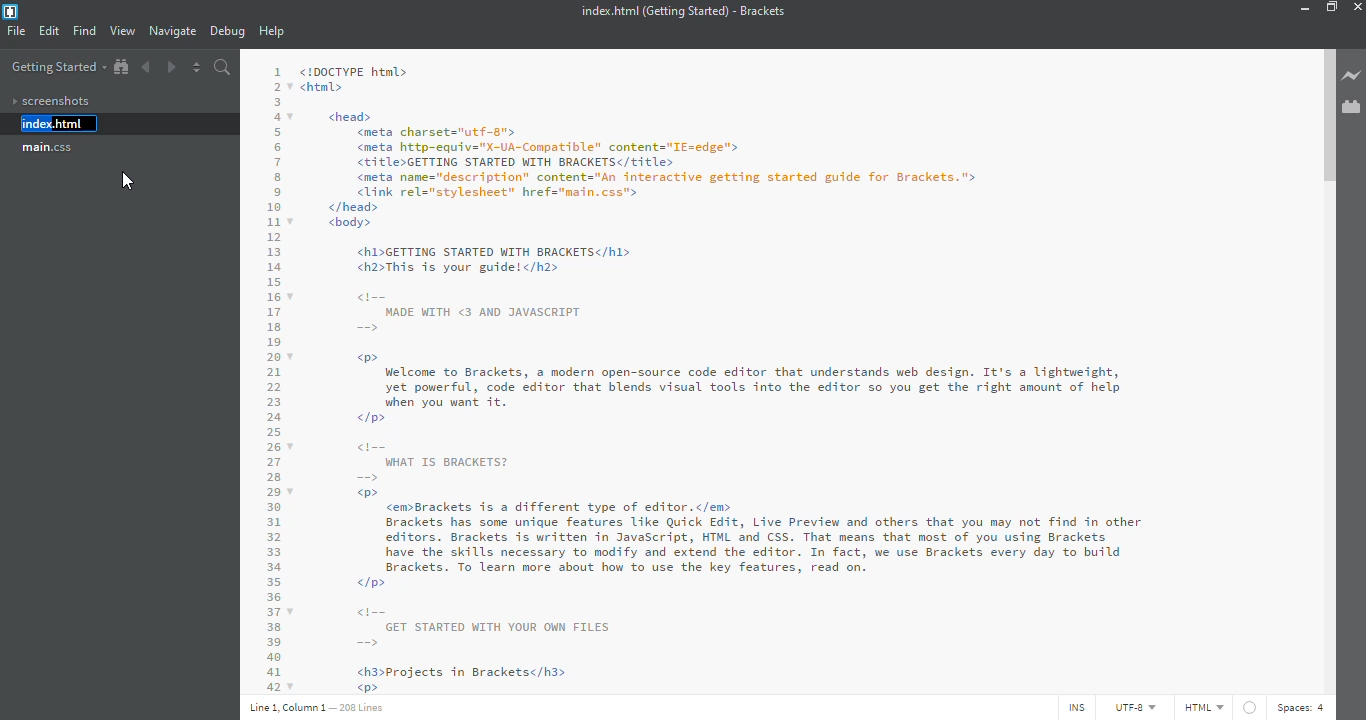 Image resolution: width=1366 pixels, height=720 pixels. I want to click on debug, so click(227, 32).